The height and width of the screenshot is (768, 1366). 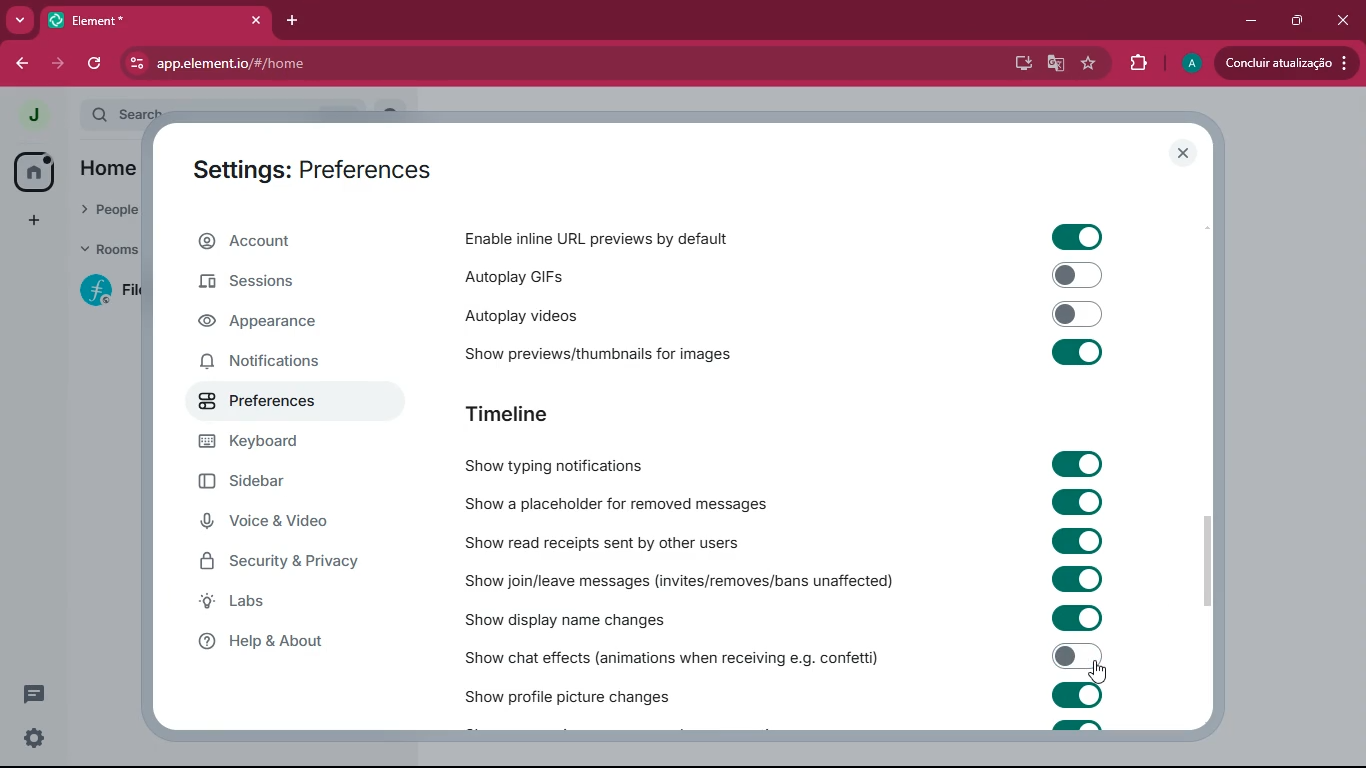 I want to click on toggle on/off, so click(x=1077, y=238).